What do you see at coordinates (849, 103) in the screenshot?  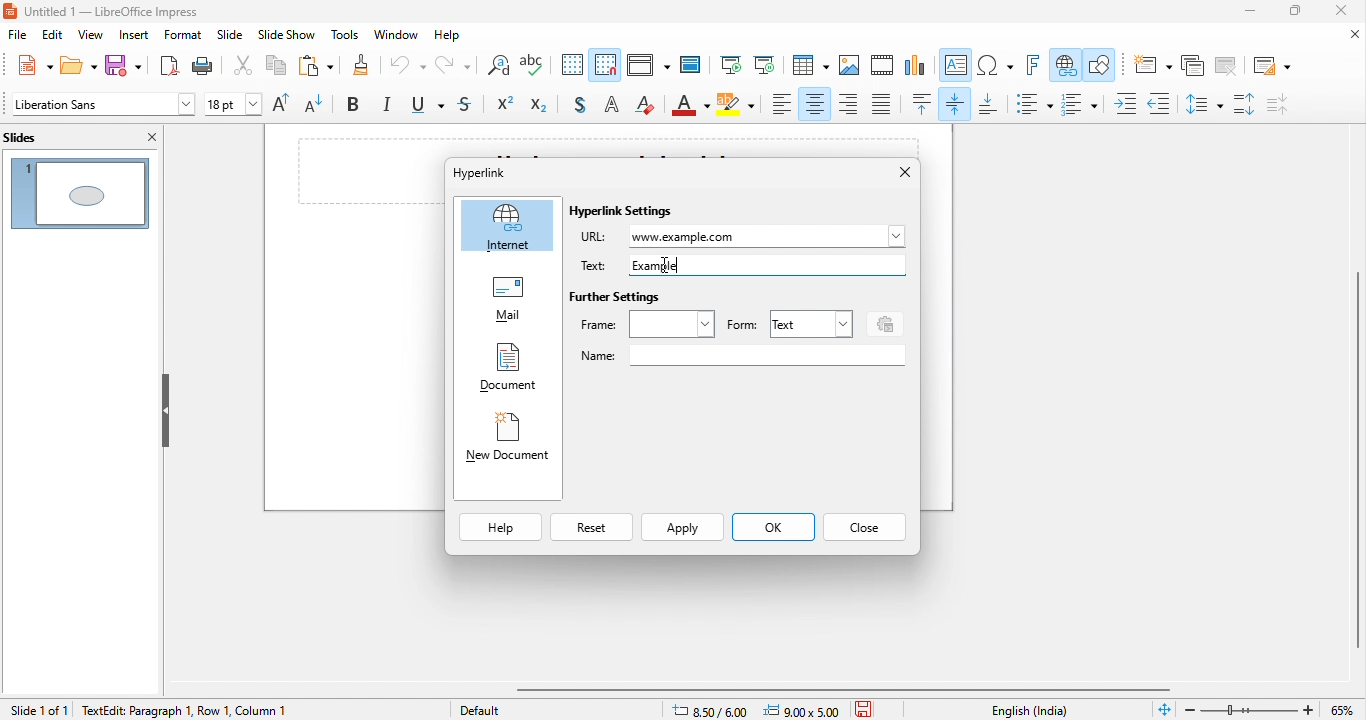 I see `align right` at bounding box center [849, 103].